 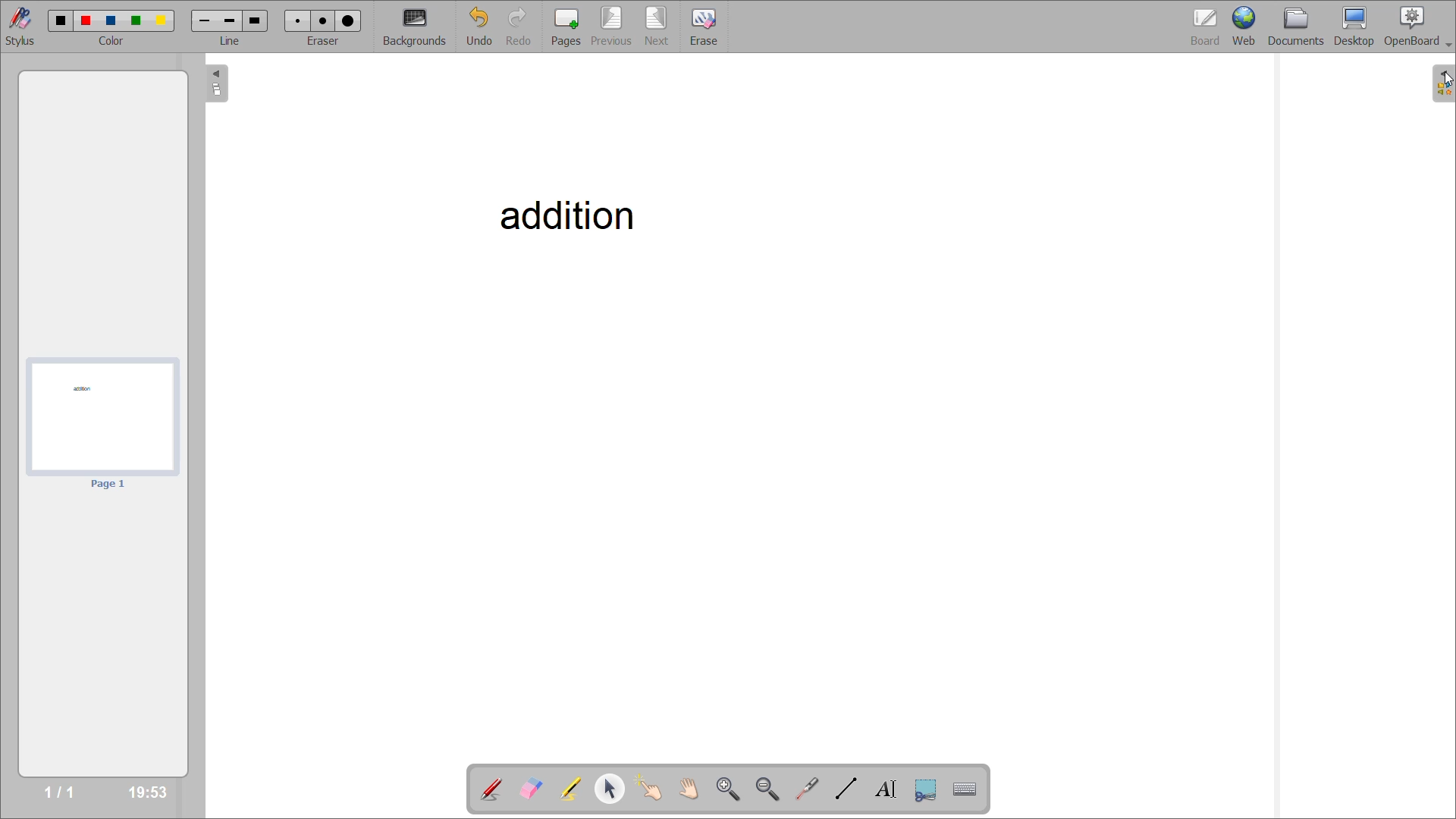 I want to click on color, so click(x=112, y=41).